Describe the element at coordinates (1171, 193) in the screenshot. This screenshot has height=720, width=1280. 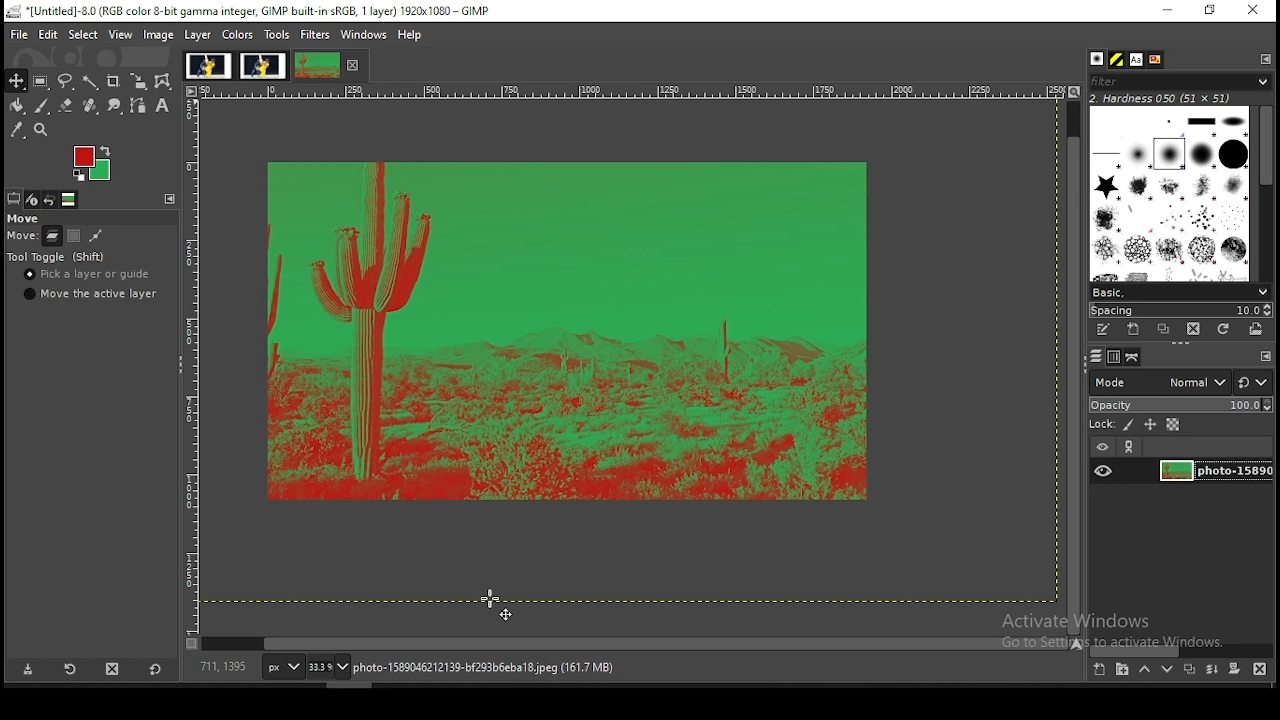
I see `brushes` at that location.